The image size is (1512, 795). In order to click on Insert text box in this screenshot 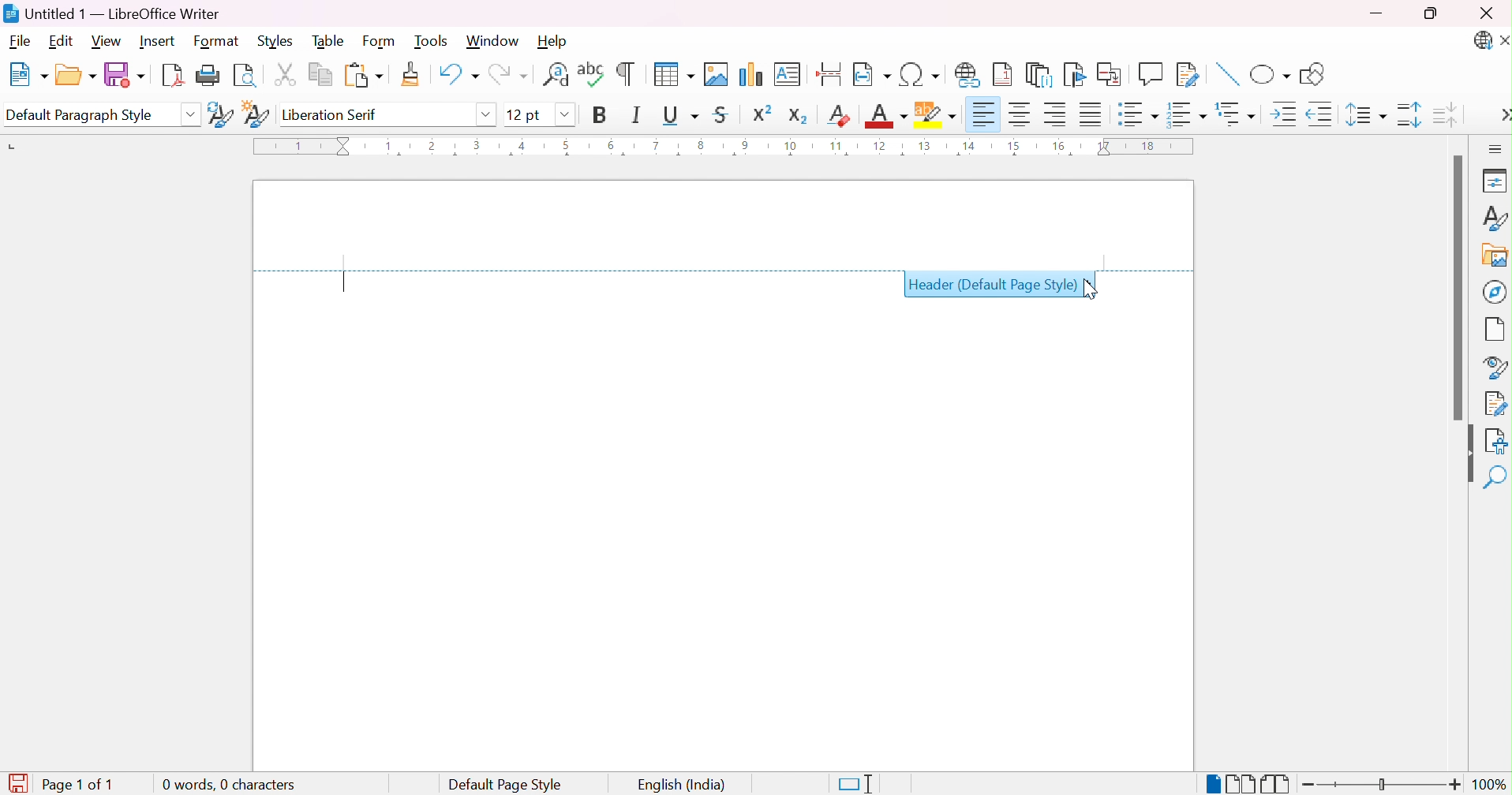, I will do `click(788, 74)`.